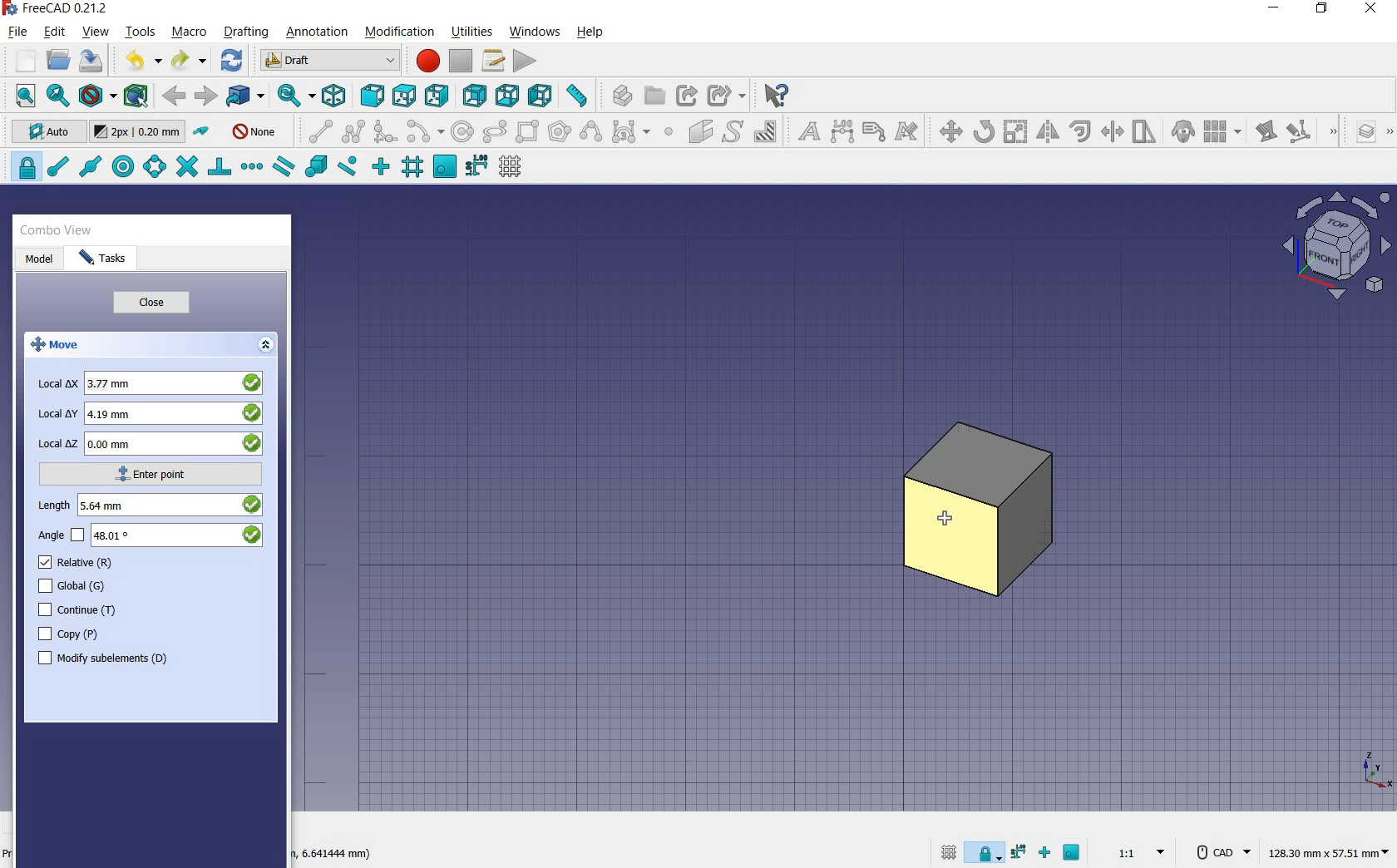 This screenshot has width=1397, height=868. Describe the element at coordinates (1183, 132) in the screenshot. I see `clone` at that location.